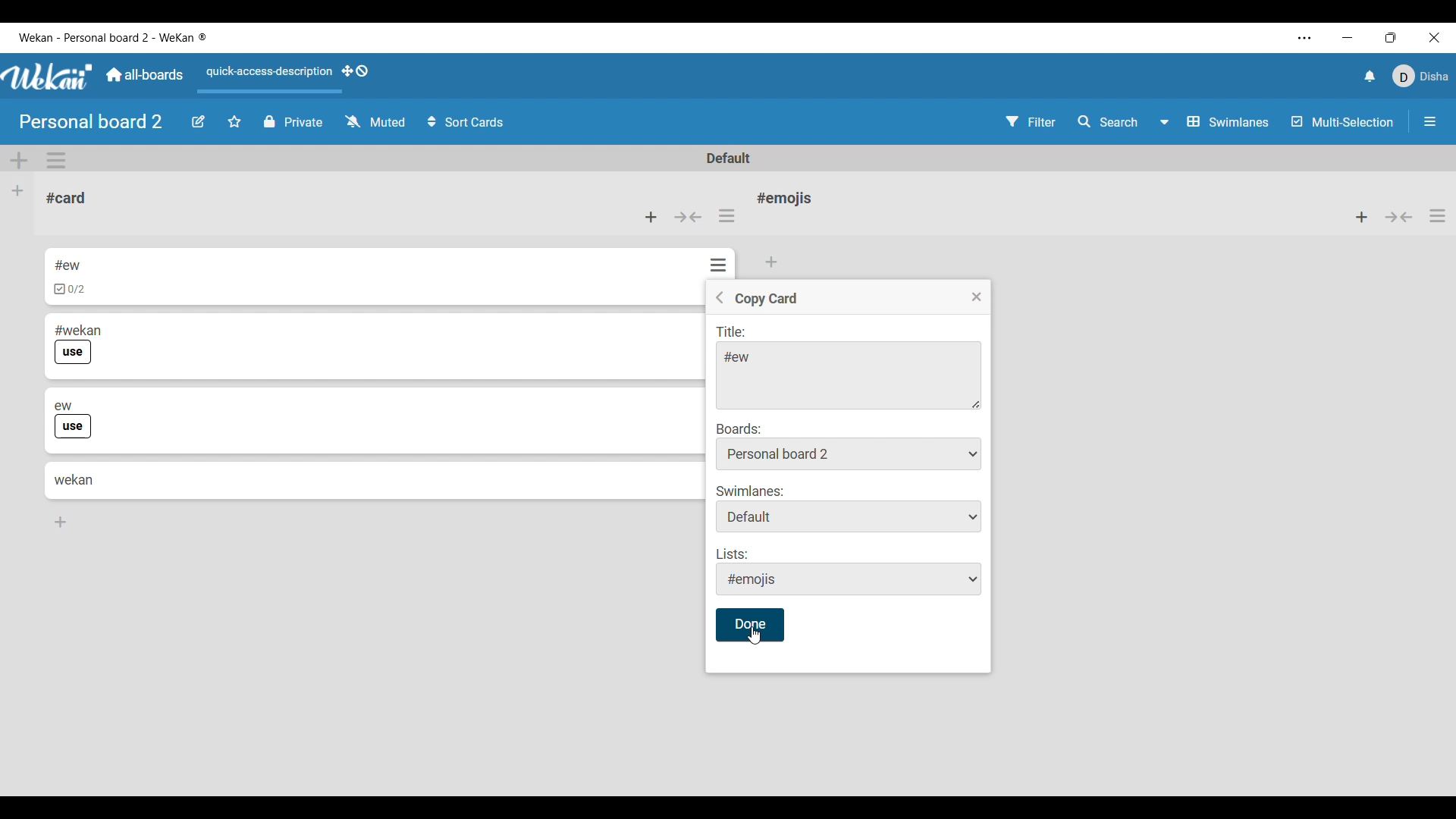 The image size is (1456, 819). What do you see at coordinates (842, 375) in the screenshot?
I see `Title text space` at bounding box center [842, 375].